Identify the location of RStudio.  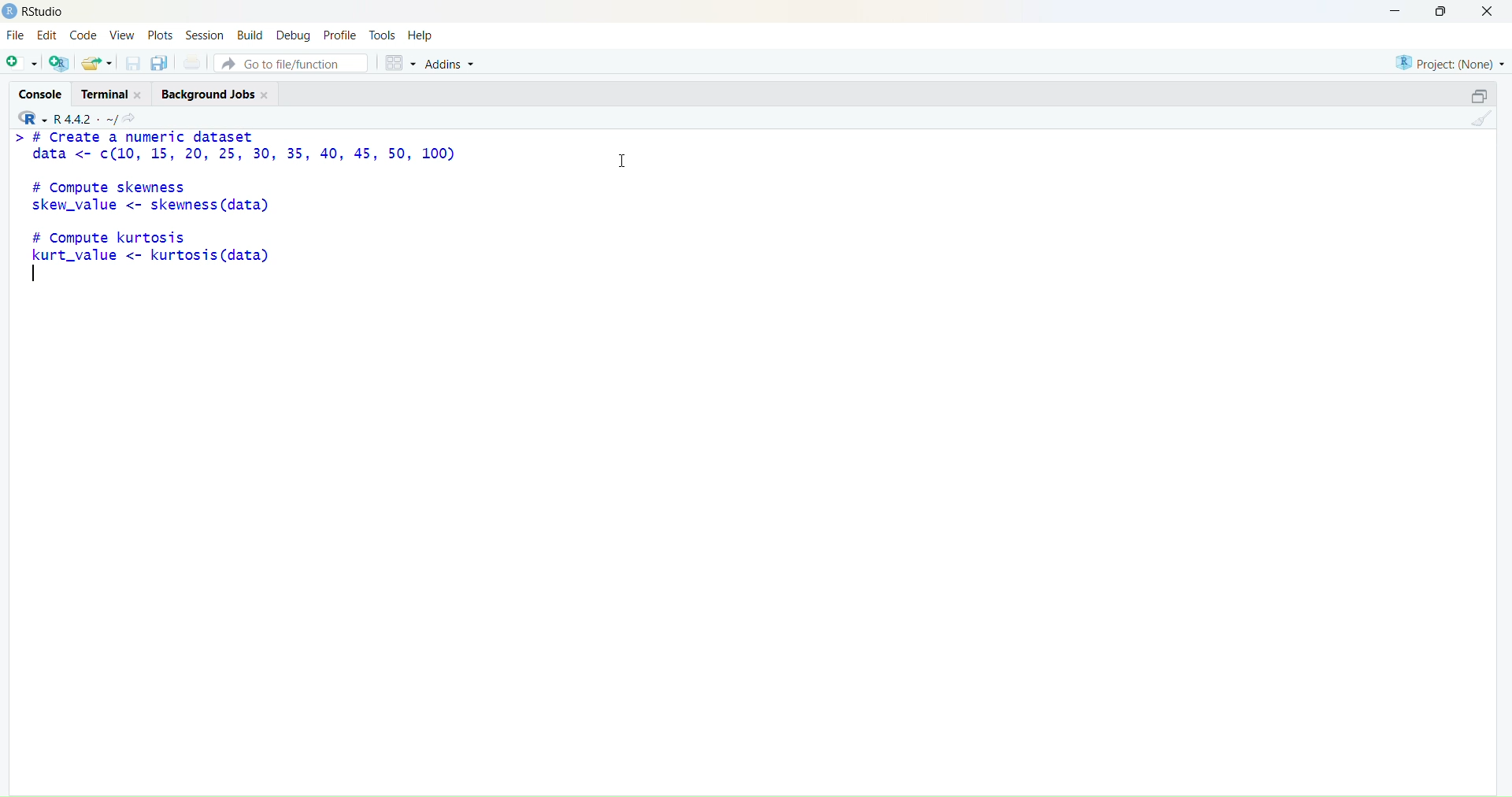
(33, 12).